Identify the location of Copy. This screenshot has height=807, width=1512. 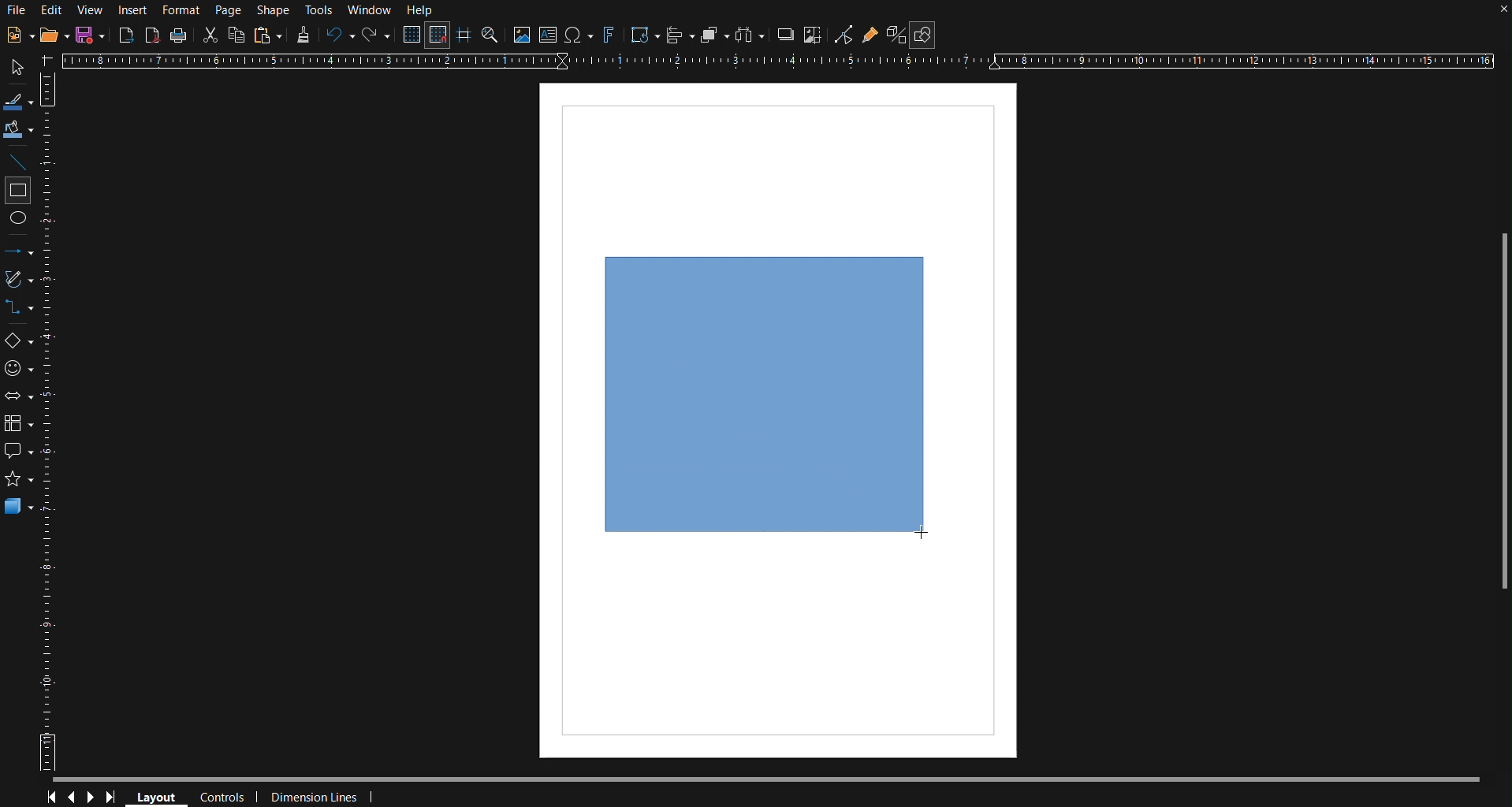
(236, 35).